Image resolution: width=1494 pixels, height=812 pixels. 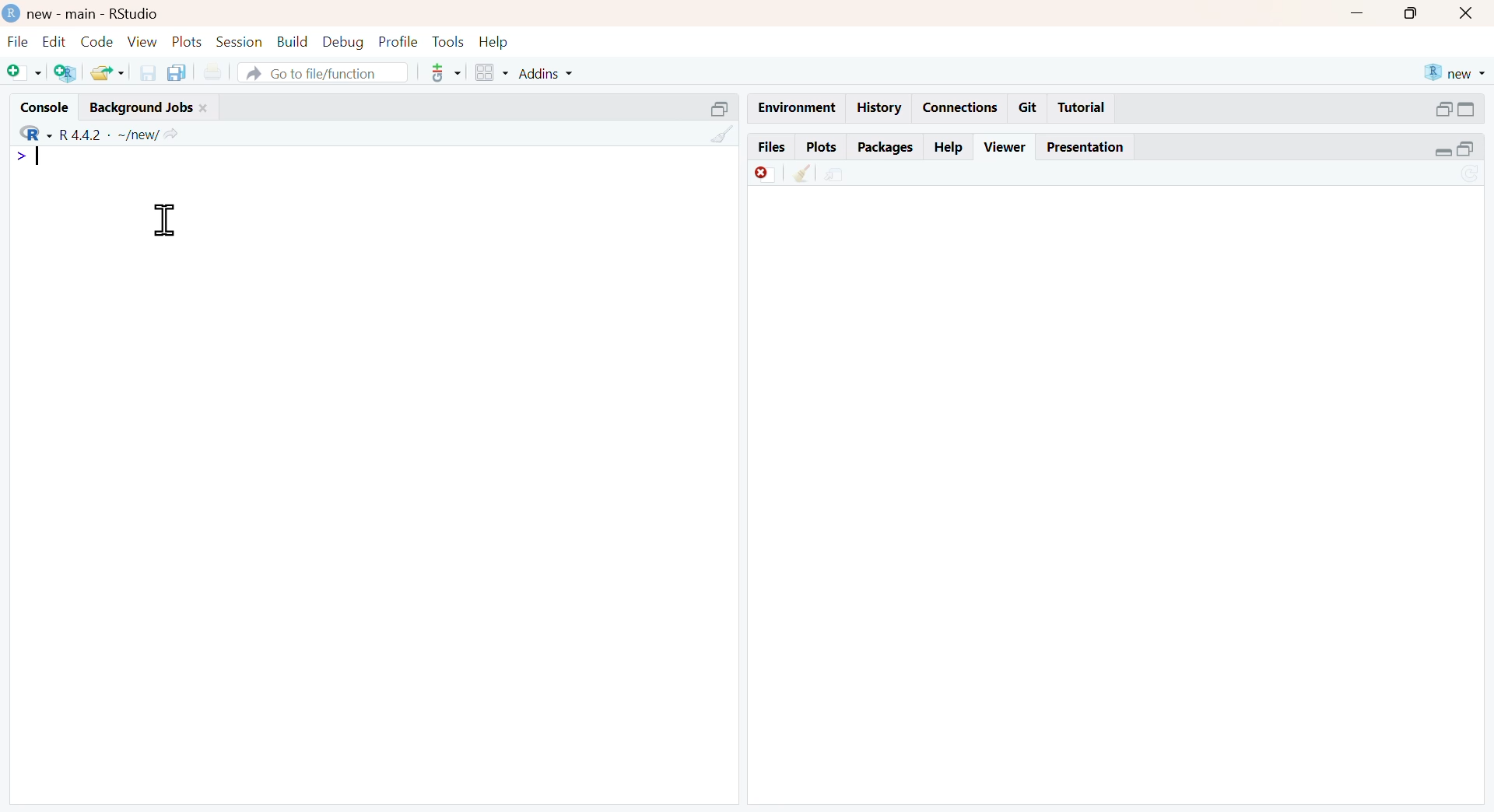 I want to click on save current ile, so click(x=142, y=72).